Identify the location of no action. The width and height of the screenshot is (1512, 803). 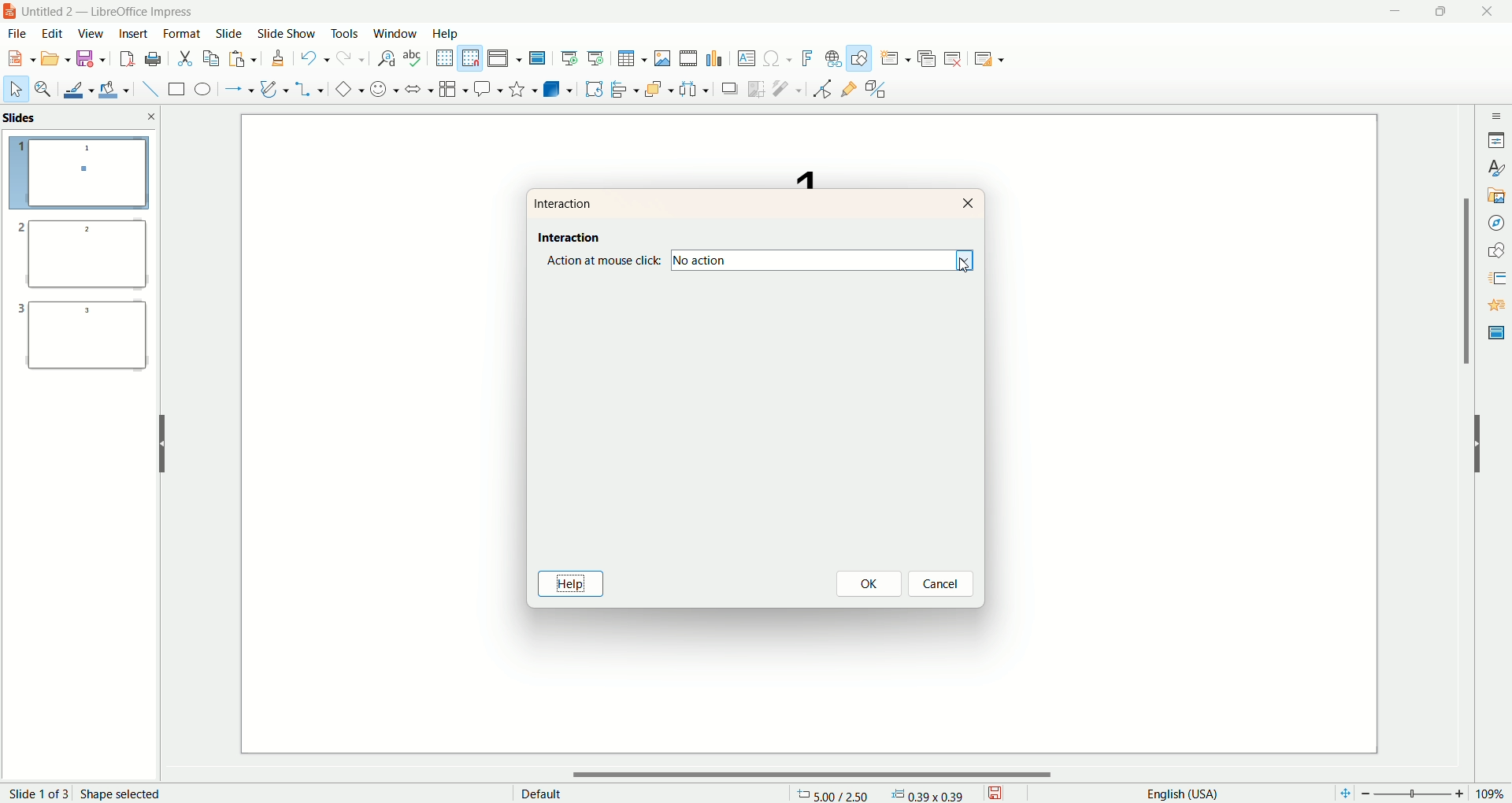
(807, 259).